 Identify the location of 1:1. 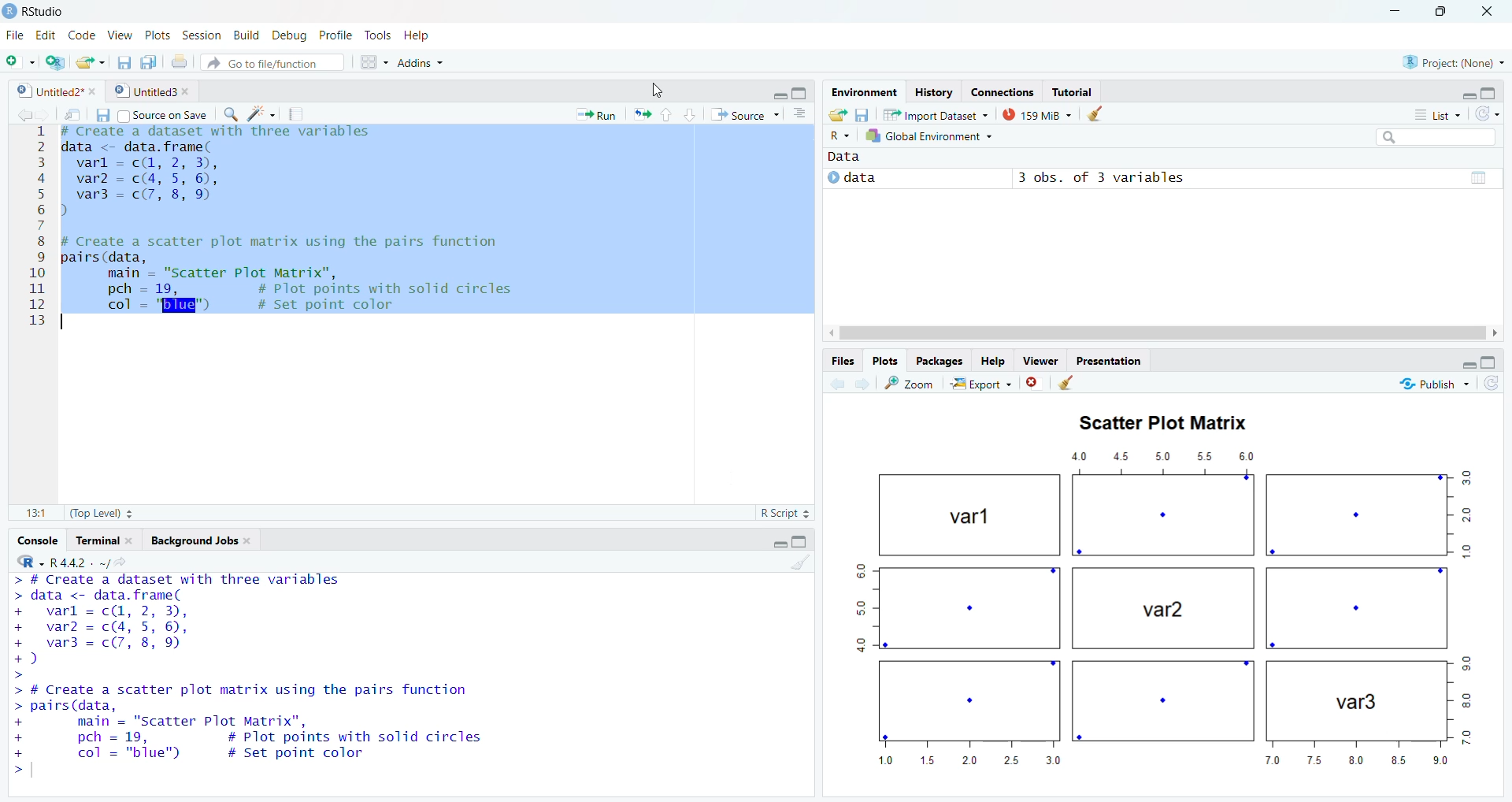
(31, 513).